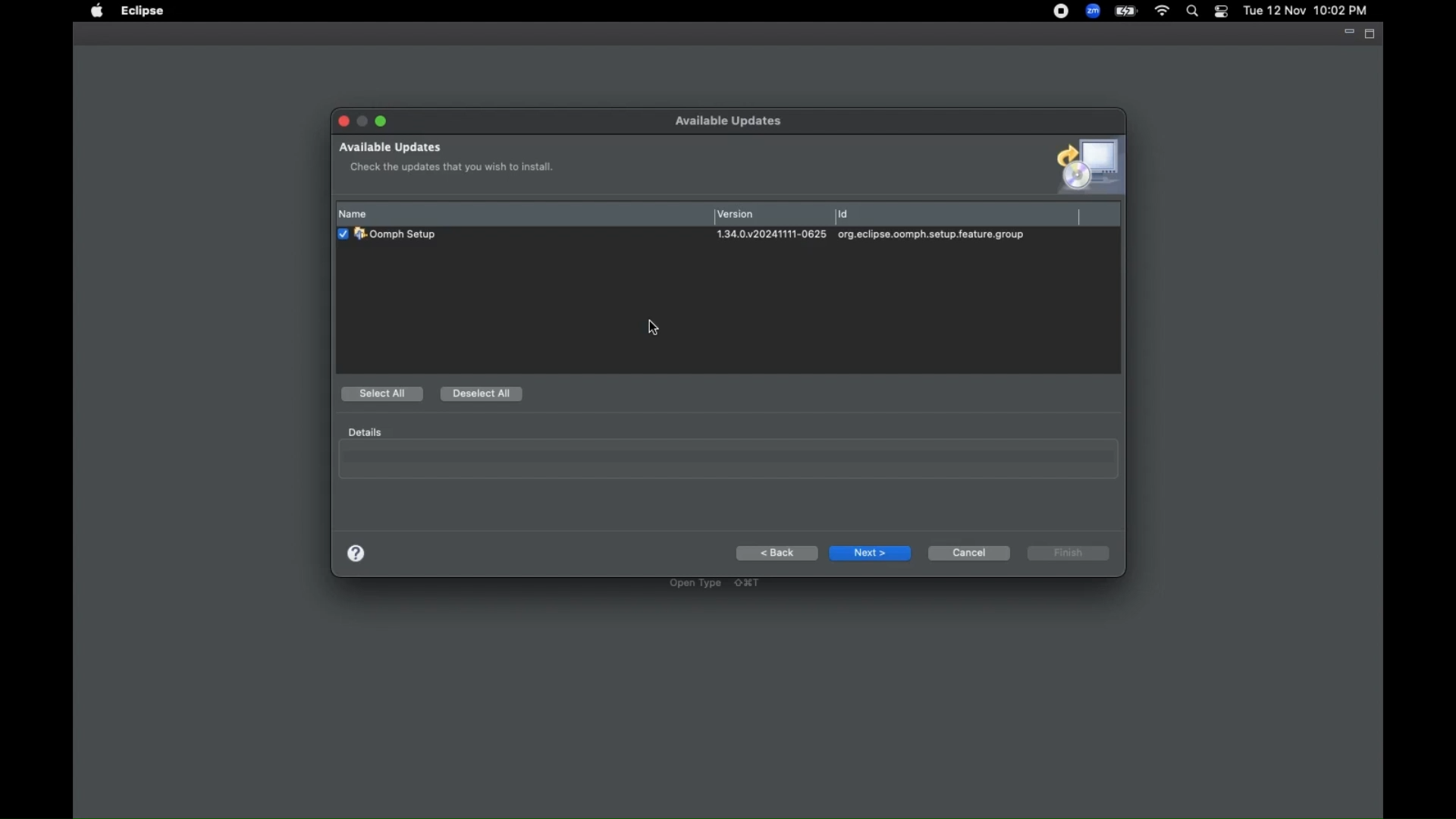 The image size is (1456, 819). Describe the element at coordinates (1191, 12) in the screenshot. I see `Search` at that location.